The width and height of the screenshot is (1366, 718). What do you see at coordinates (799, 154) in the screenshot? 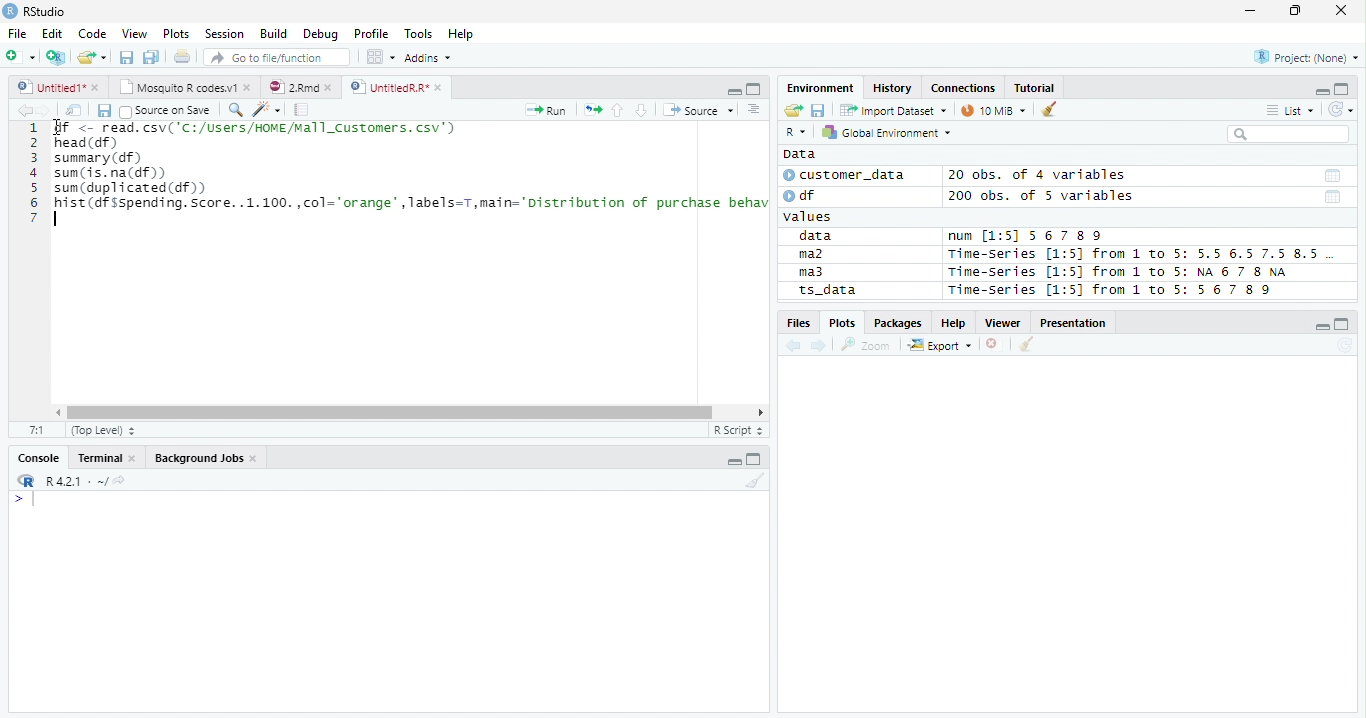
I see `Data` at bounding box center [799, 154].